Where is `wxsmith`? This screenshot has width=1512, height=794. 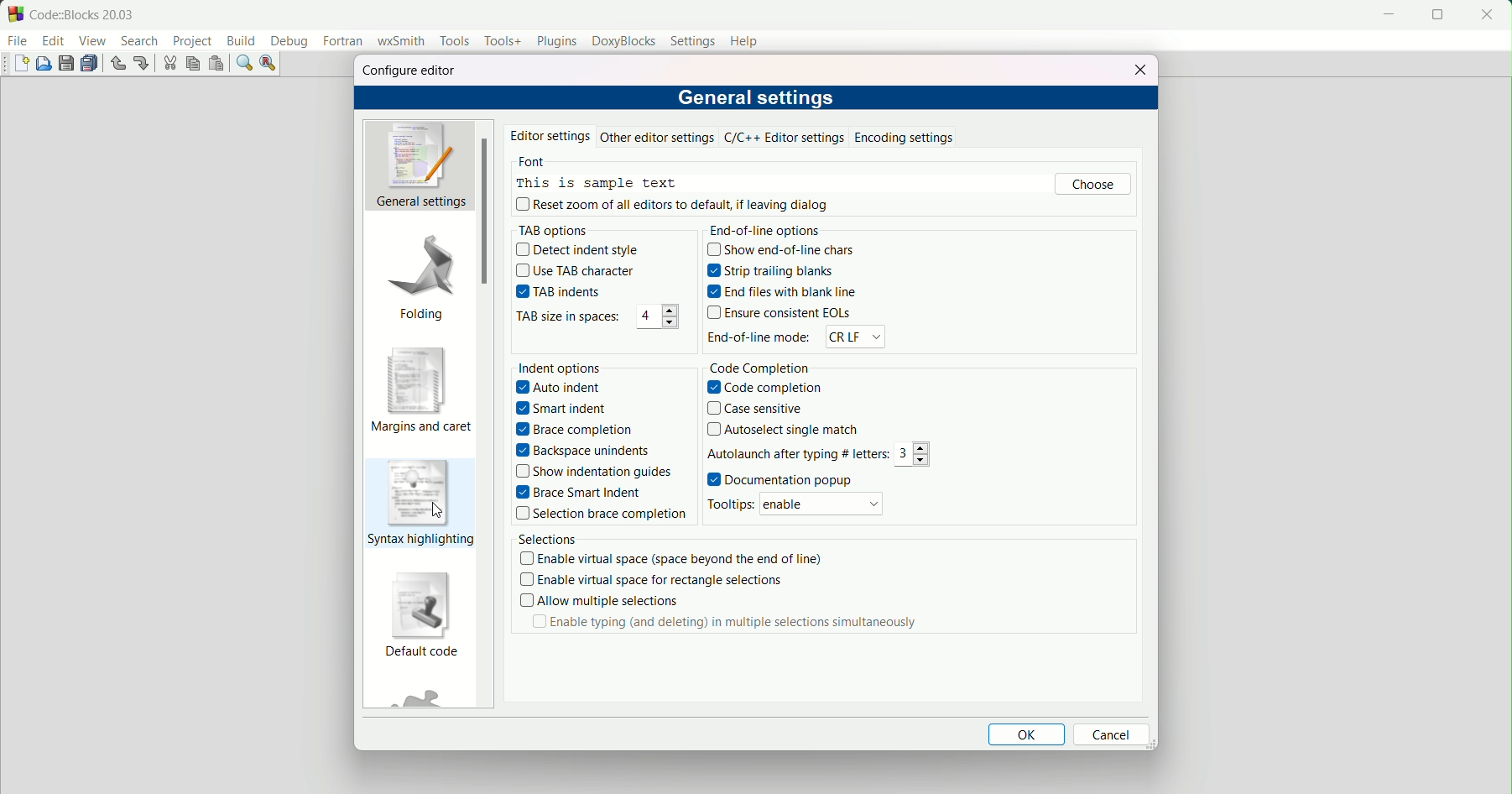 wxsmith is located at coordinates (400, 43).